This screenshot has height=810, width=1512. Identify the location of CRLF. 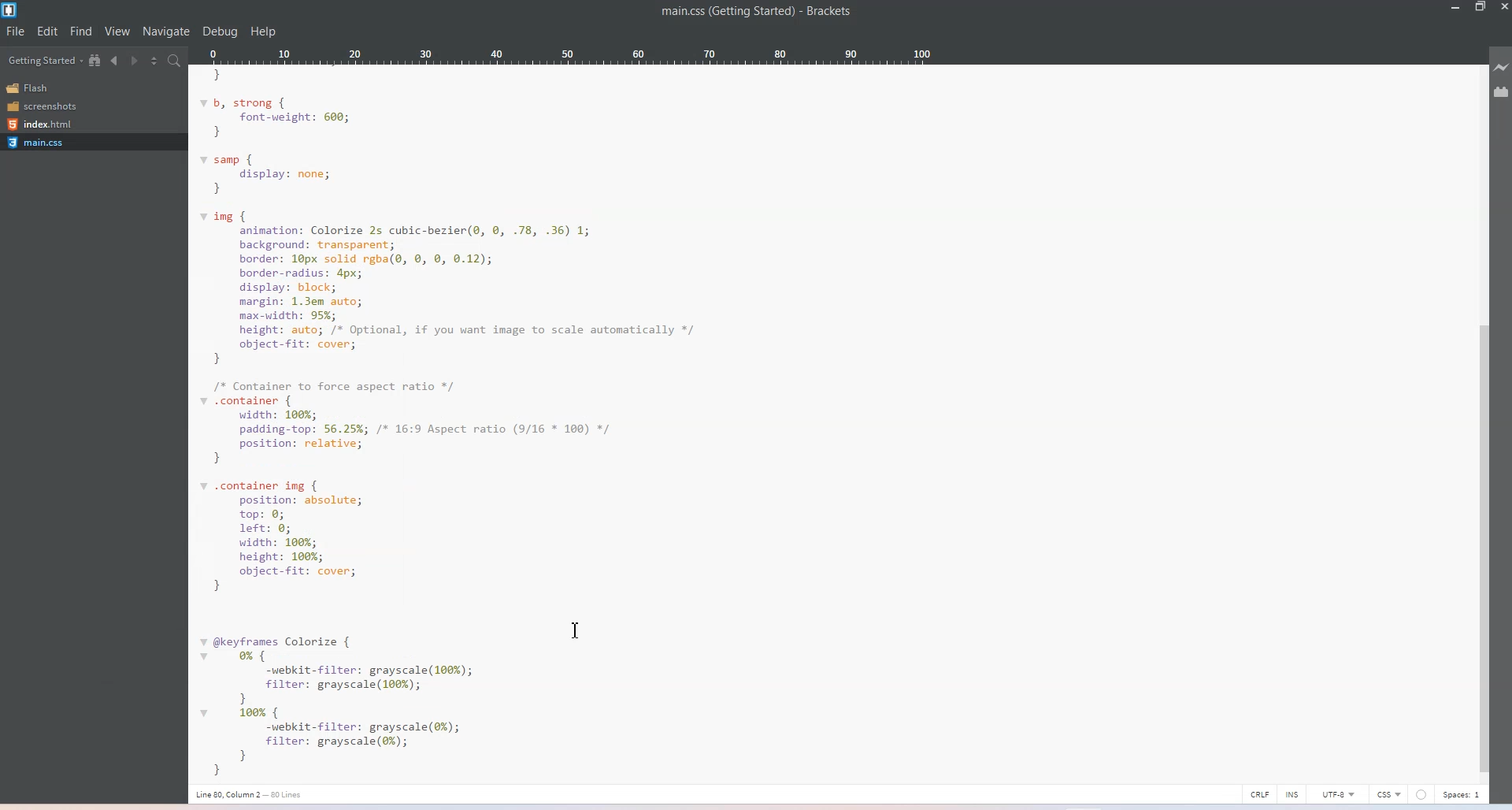
(1260, 793).